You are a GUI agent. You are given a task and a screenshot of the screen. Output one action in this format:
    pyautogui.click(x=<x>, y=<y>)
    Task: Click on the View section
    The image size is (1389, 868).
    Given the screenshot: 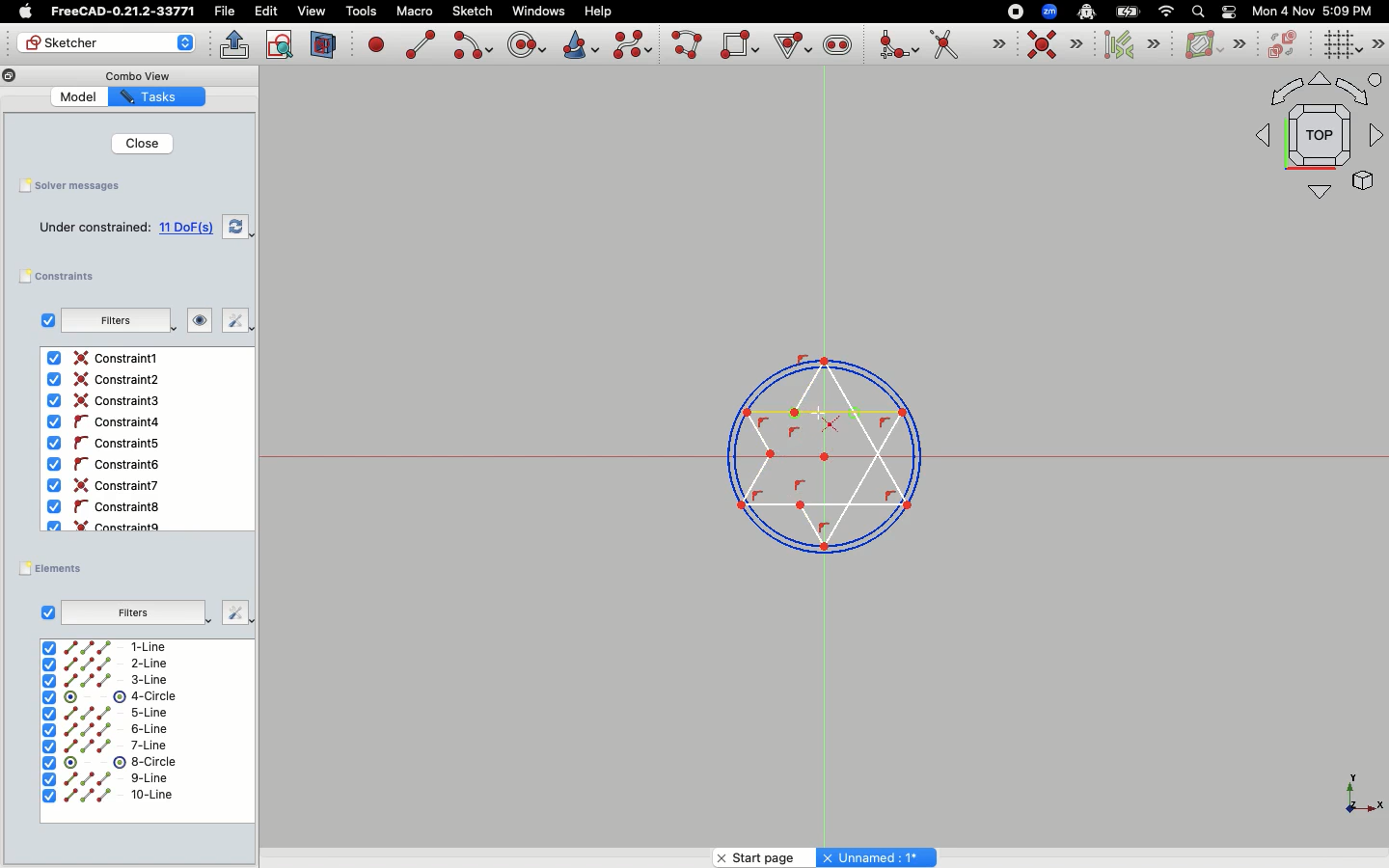 What is the action you would take?
    pyautogui.click(x=324, y=44)
    